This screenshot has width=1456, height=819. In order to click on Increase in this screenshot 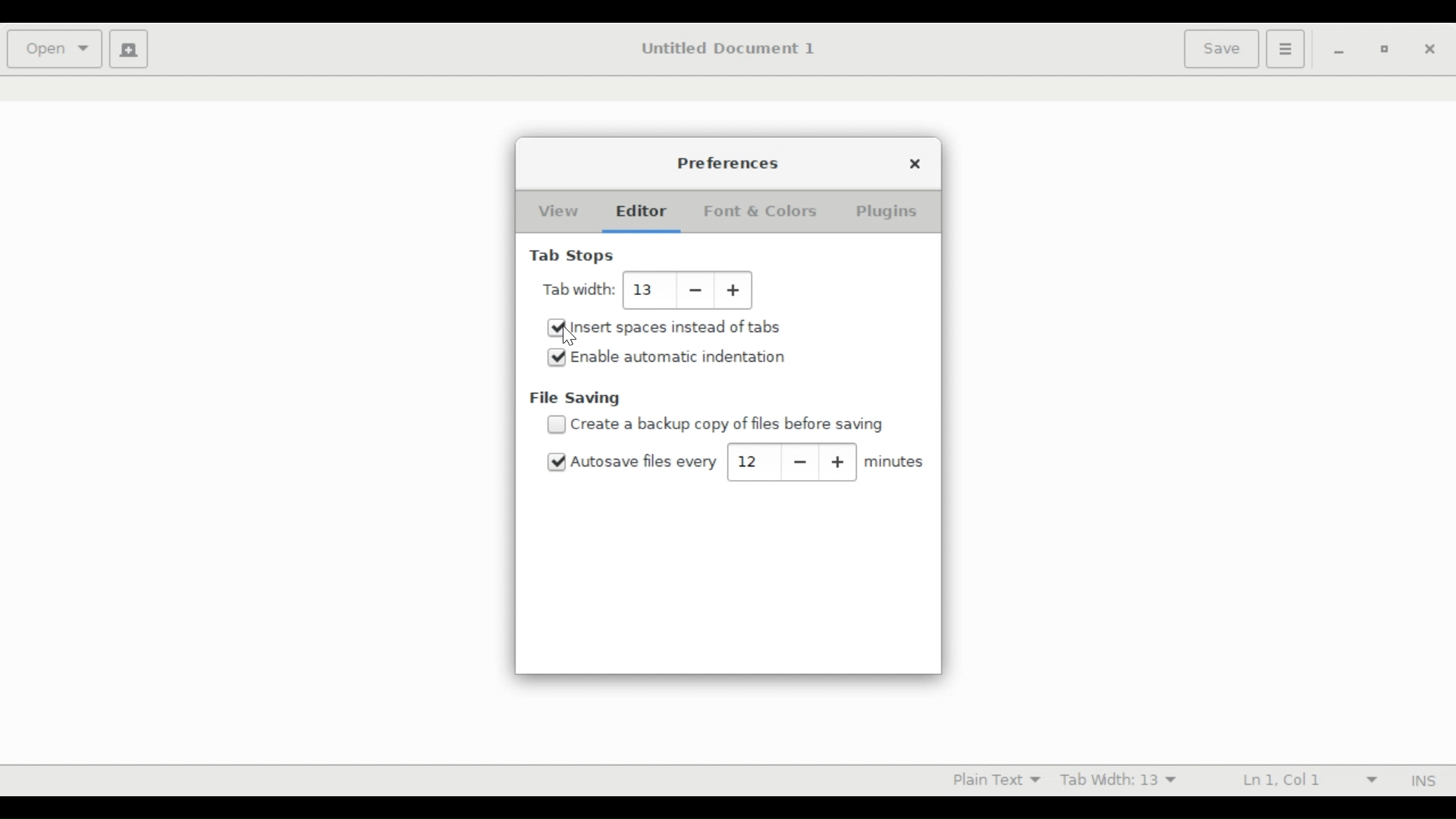, I will do `click(737, 290)`.